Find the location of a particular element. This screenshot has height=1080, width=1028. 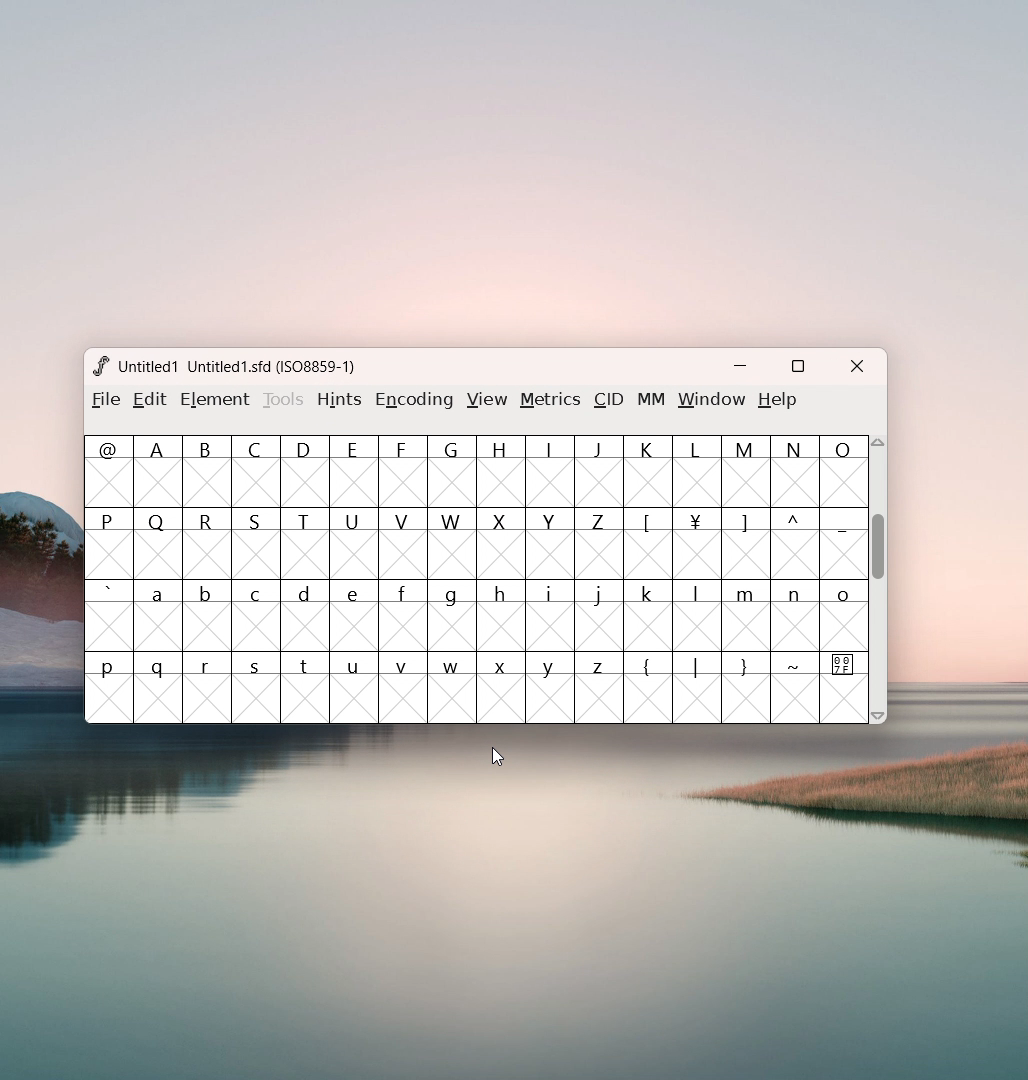

| is located at coordinates (698, 687).